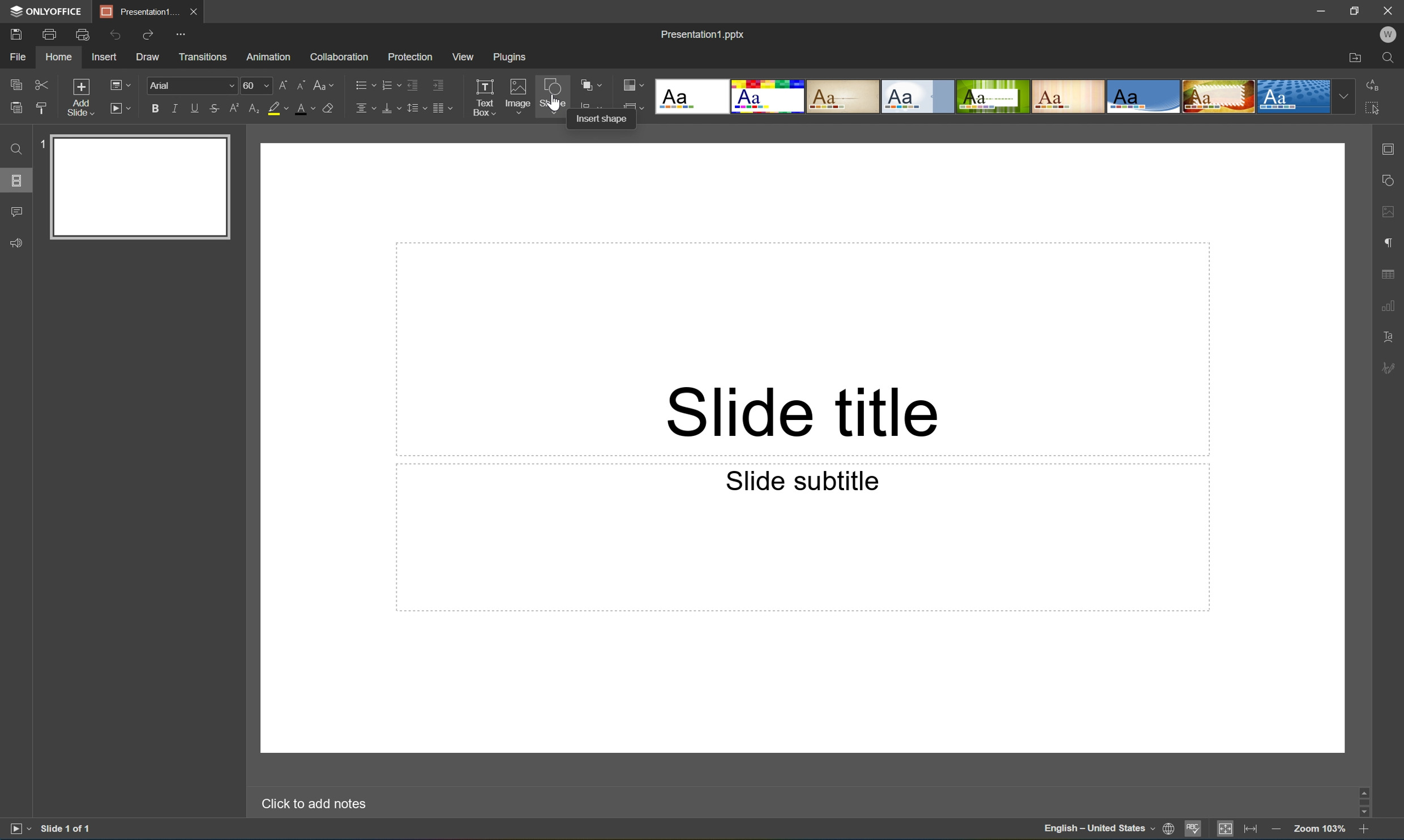  Describe the element at coordinates (556, 105) in the screenshot. I see `cursor` at that location.